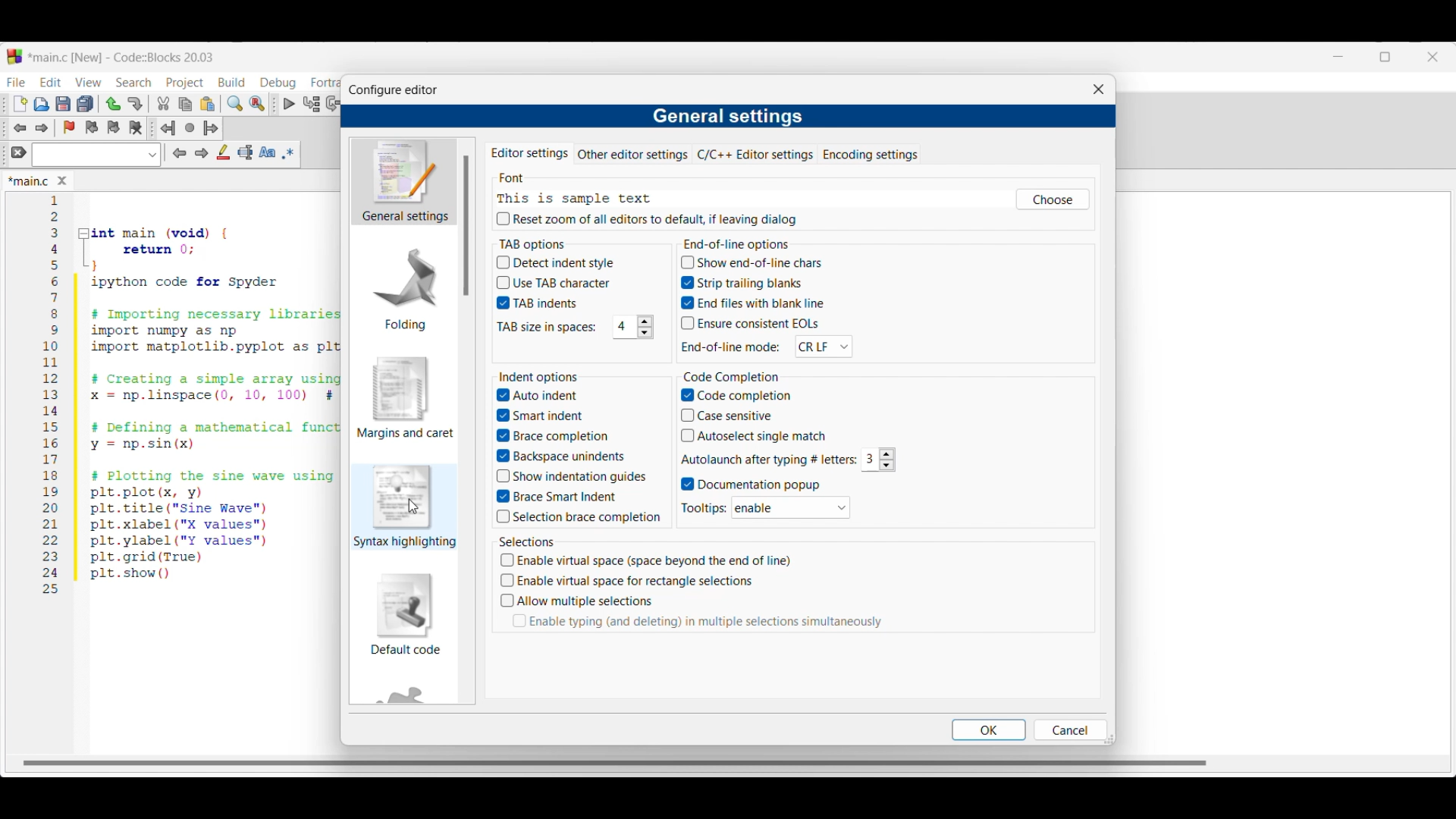  Describe the element at coordinates (29, 182) in the screenshot. I see `Current tab` at that location.